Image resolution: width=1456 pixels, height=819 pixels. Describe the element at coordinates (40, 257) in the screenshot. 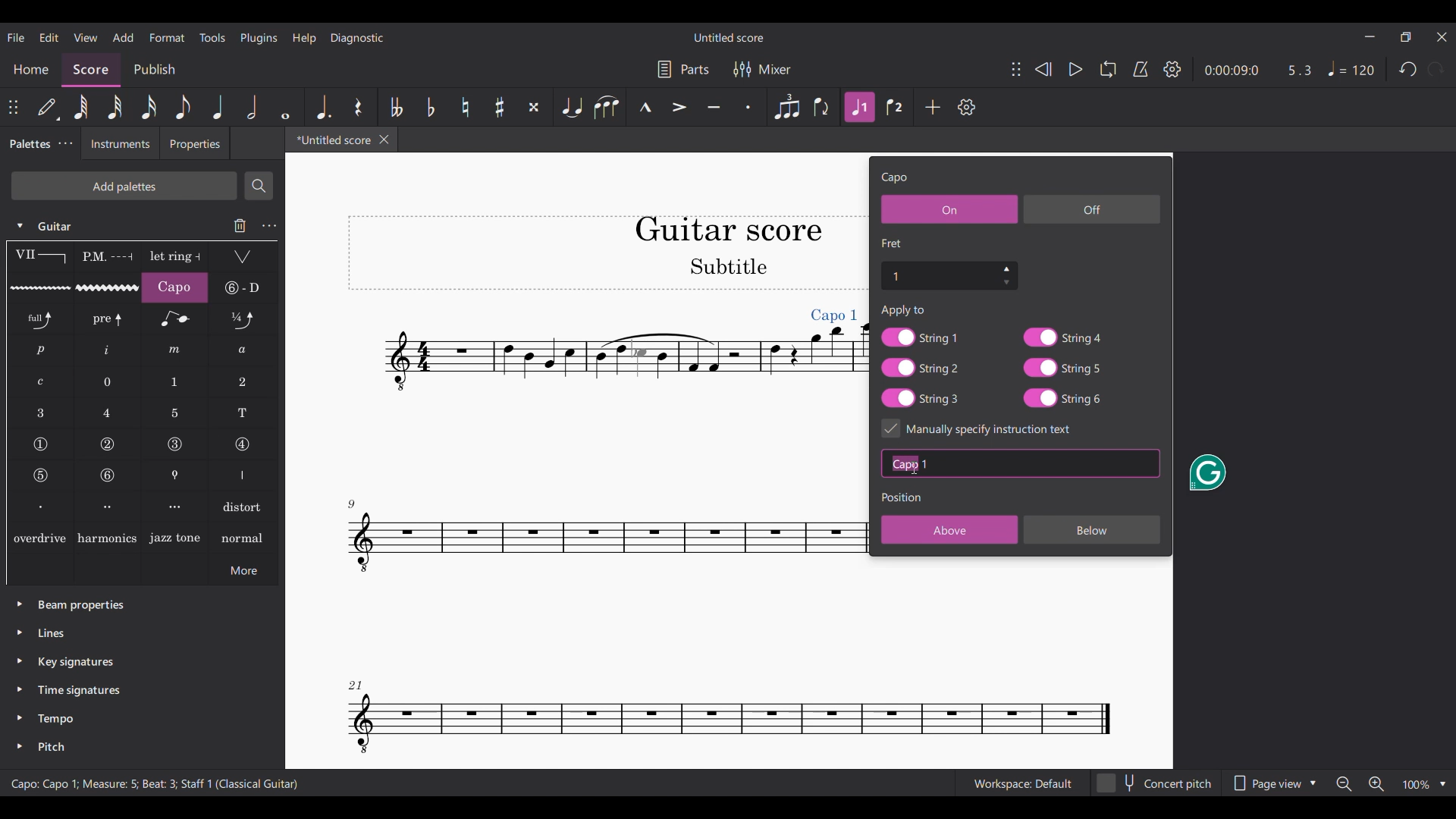

I see `Barre line` at that location.